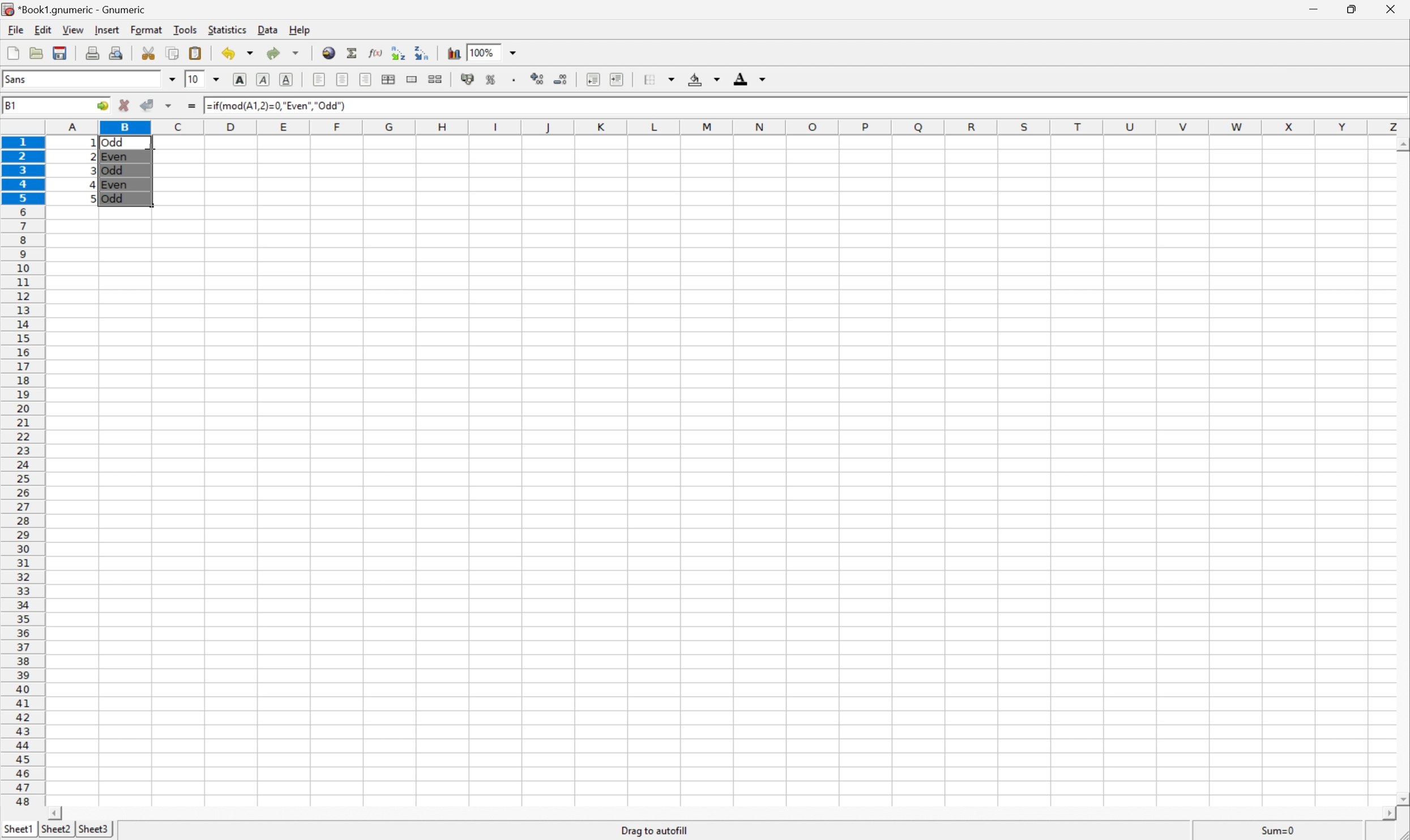 The width and height of the screenshot is (1410, 840). I want to click on Odd, so click(113, 200).